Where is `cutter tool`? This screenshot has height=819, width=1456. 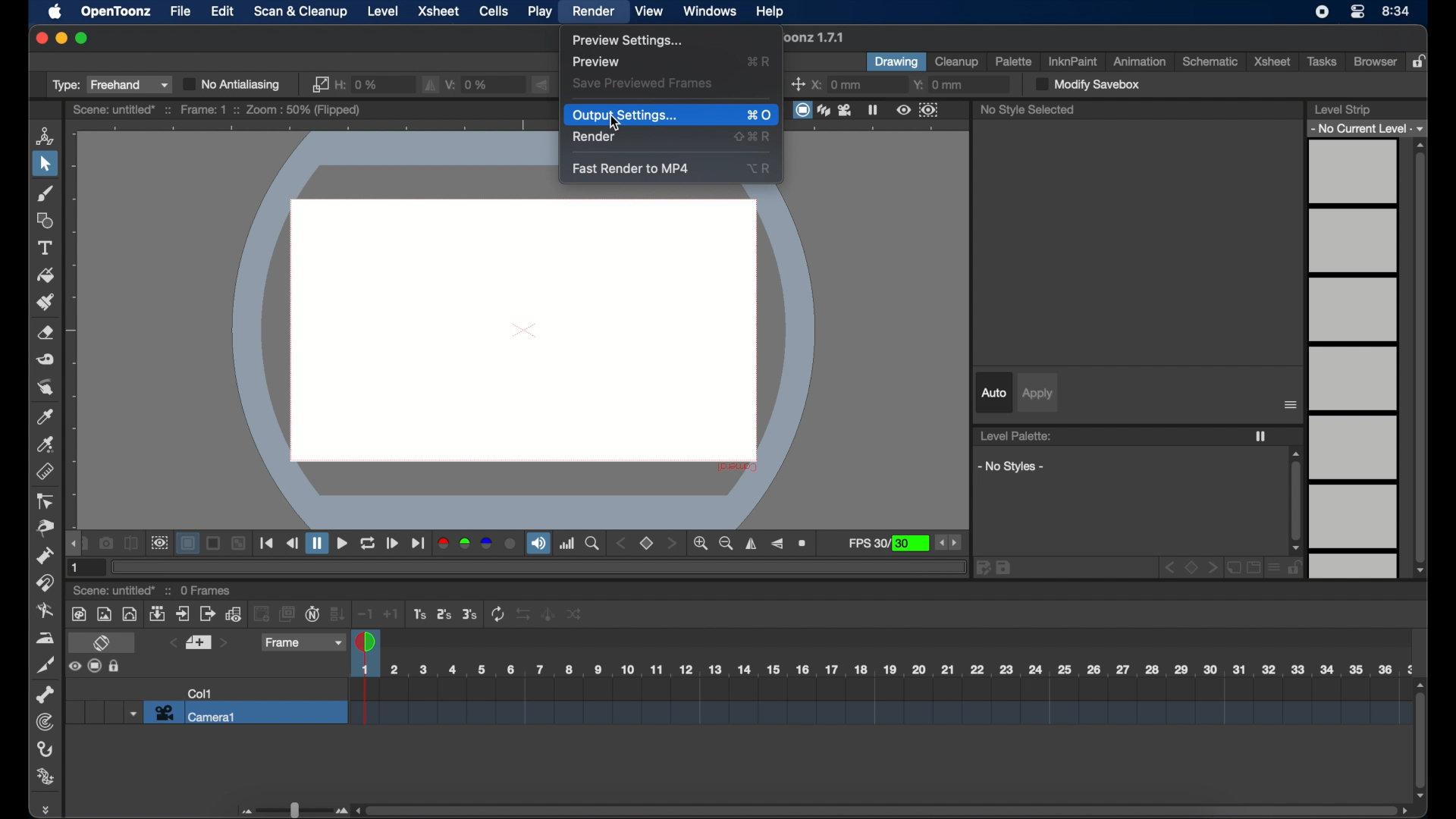 cutter tool is located at coordinates (46, 667).